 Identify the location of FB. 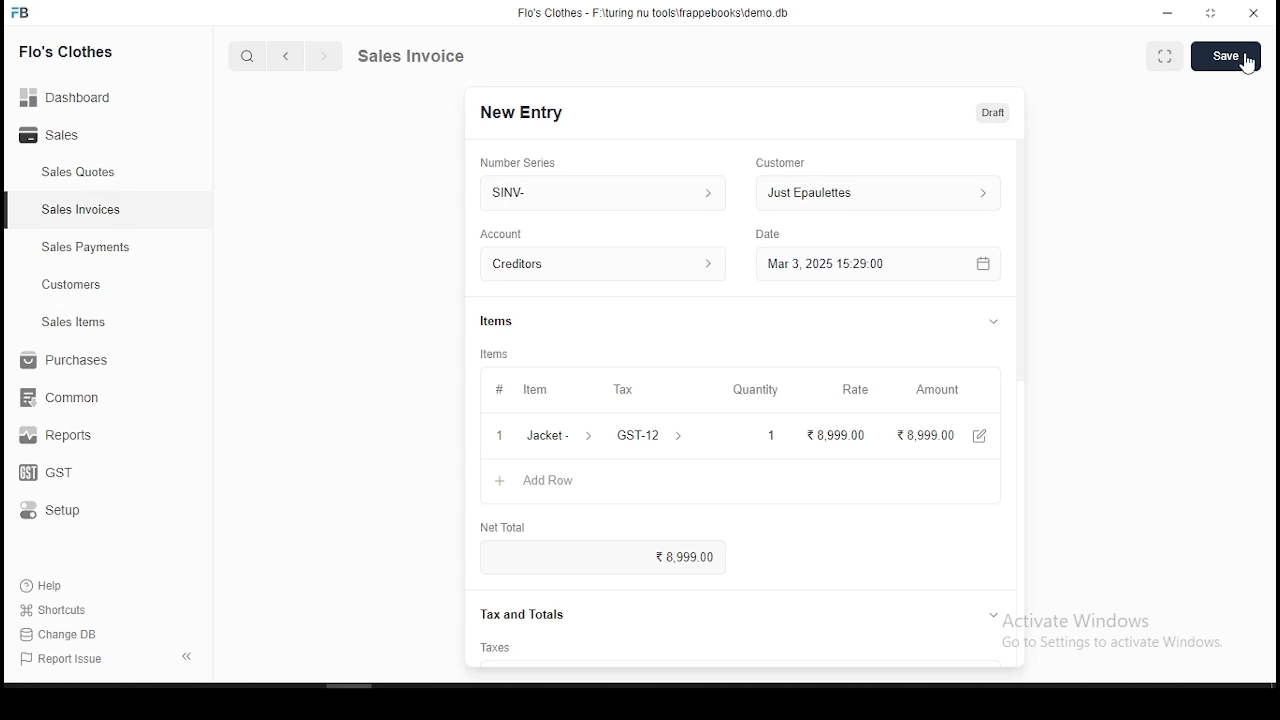
(35, 12).